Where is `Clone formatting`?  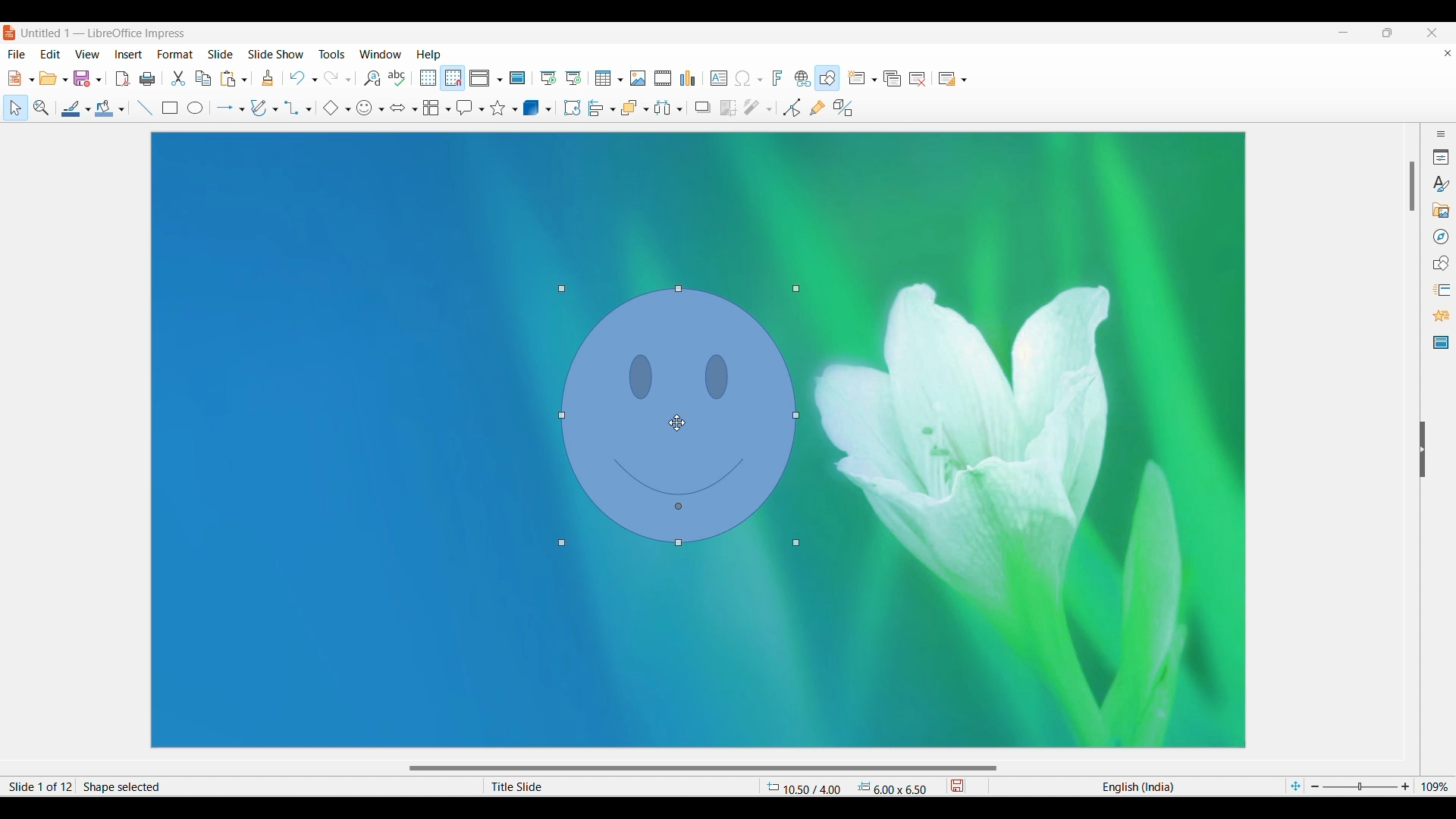
Clone formatting is located at coordinates (268, 77).